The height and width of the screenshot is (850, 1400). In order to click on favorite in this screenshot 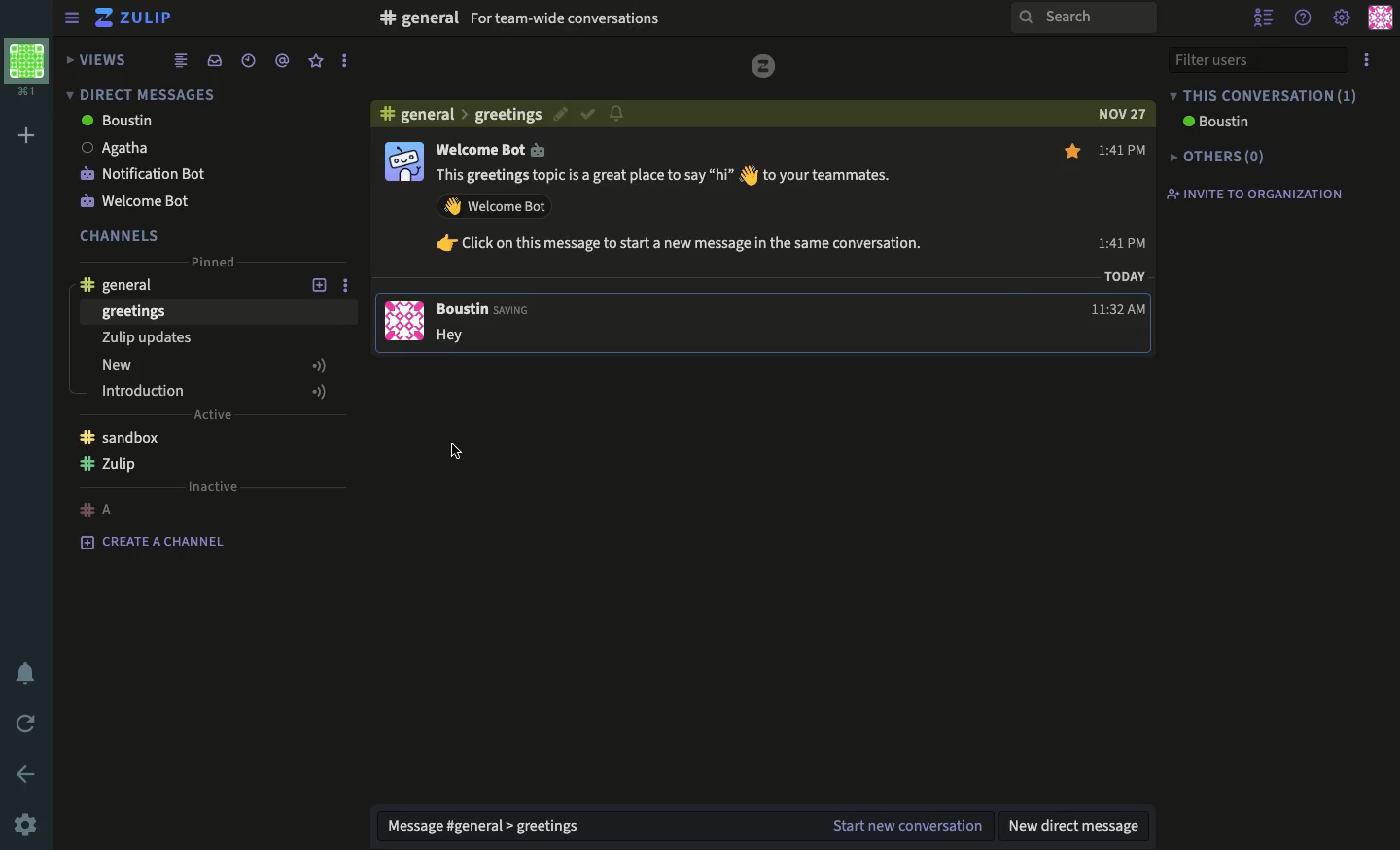, I will do `click(1074, 155)`.